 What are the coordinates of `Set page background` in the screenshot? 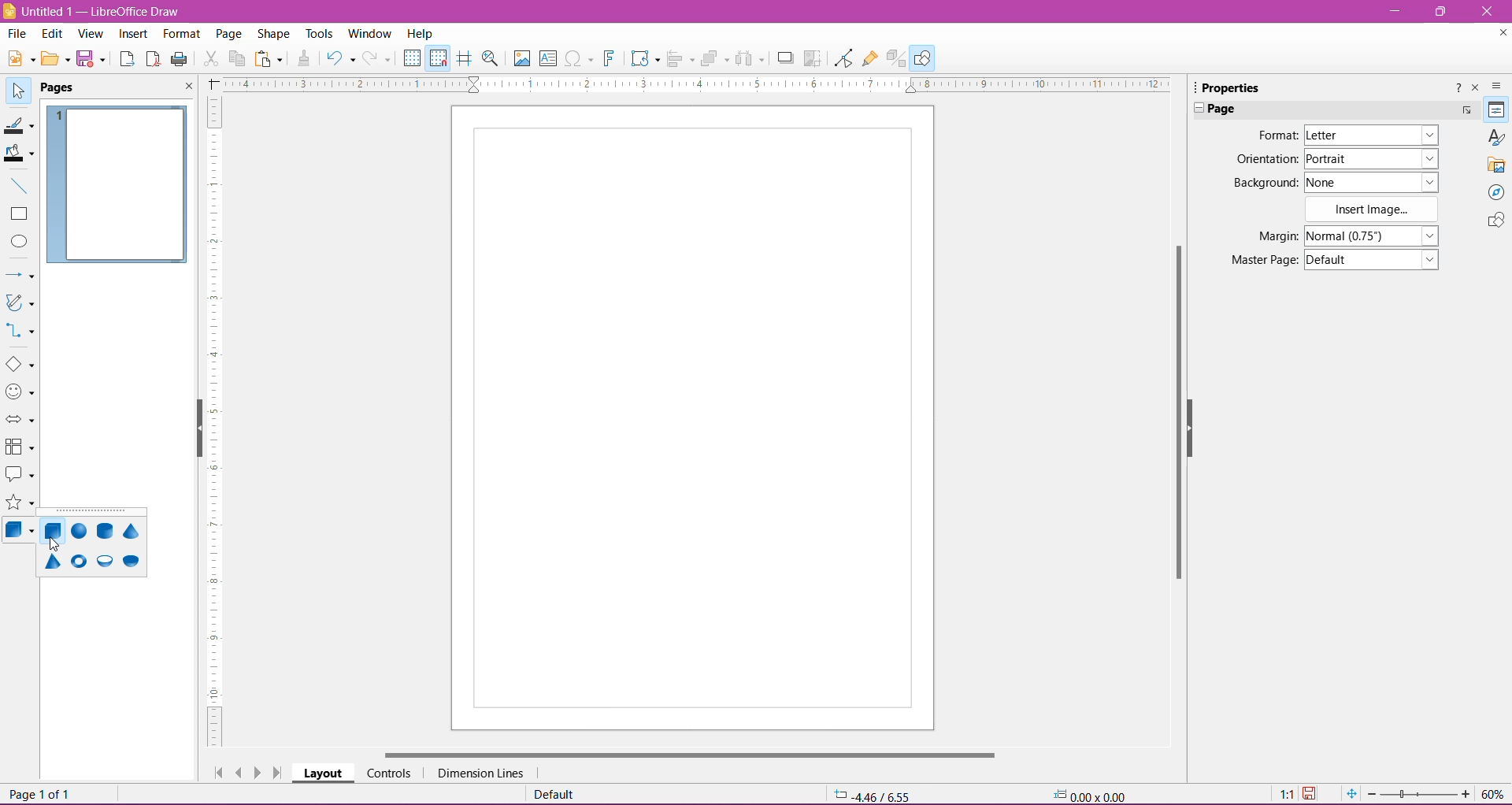 It's located at (1372, 182).